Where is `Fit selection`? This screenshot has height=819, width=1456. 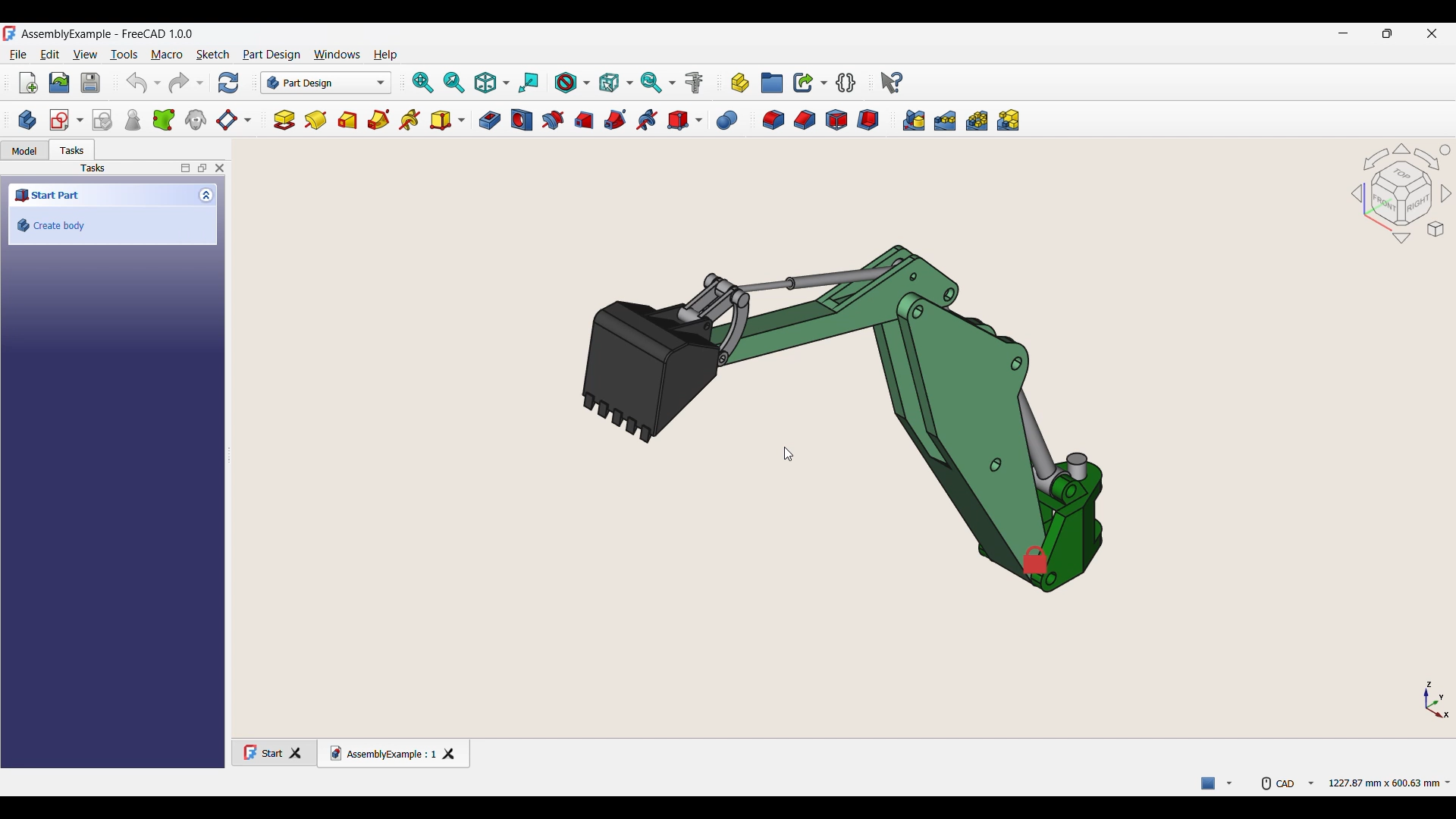
Fit selection is located at coordinates (455, 83).